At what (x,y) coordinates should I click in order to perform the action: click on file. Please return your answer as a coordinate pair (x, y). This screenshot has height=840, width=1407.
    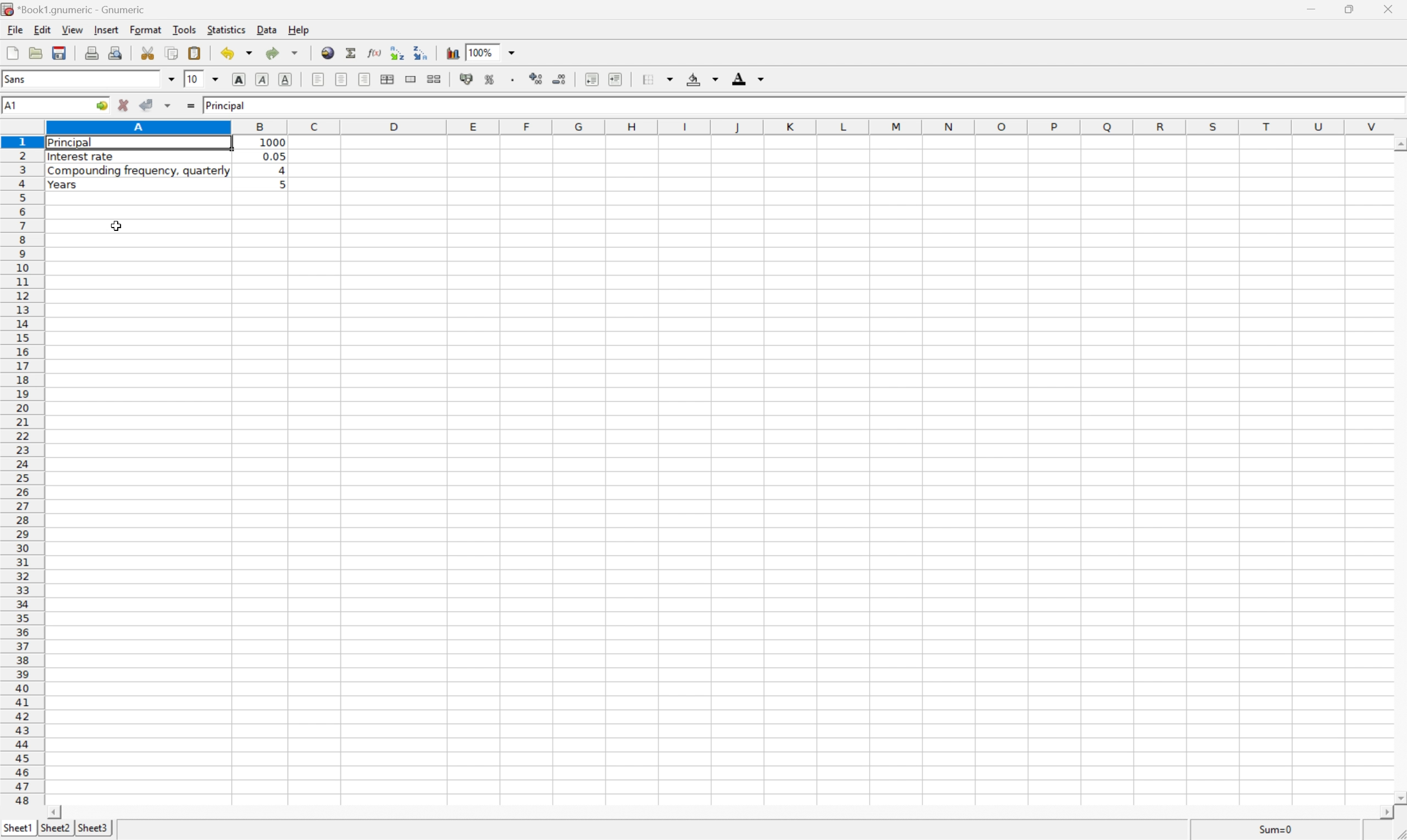
    Looking at the image, I should click on (13, 29).